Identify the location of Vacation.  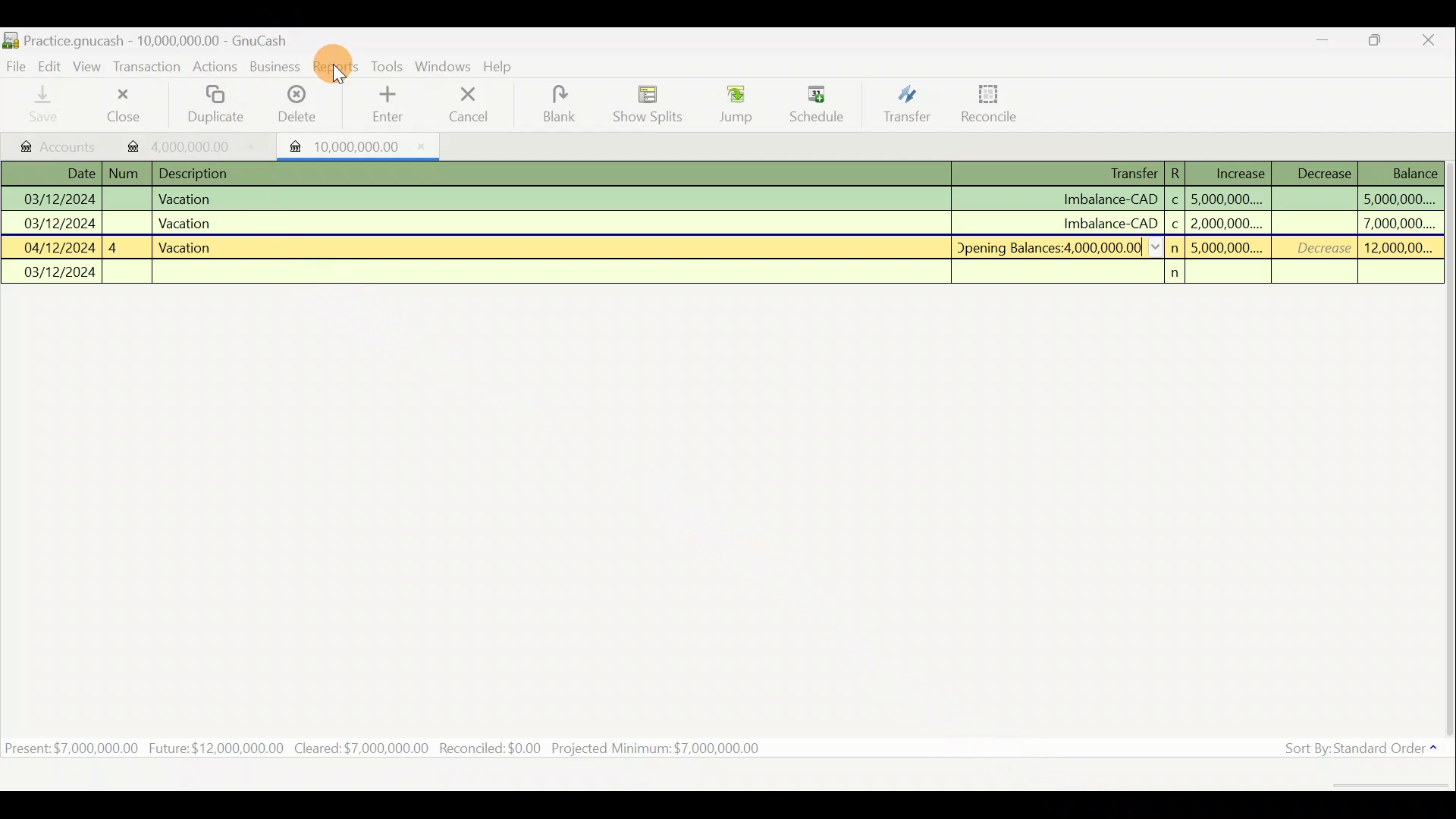
(185, 198).